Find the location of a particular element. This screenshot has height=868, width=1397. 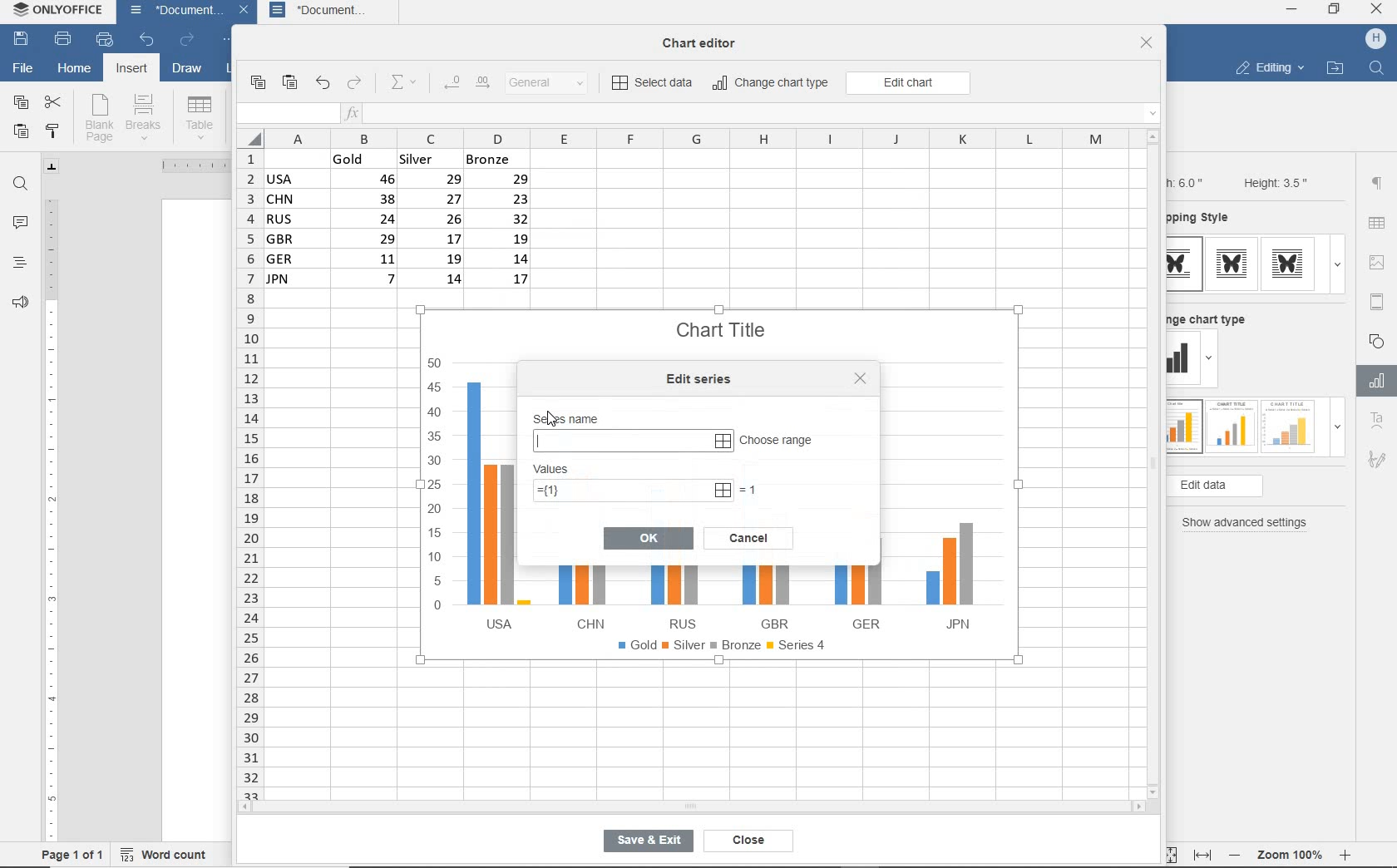

page 1 of 1 is located at coordinates (73, 854).